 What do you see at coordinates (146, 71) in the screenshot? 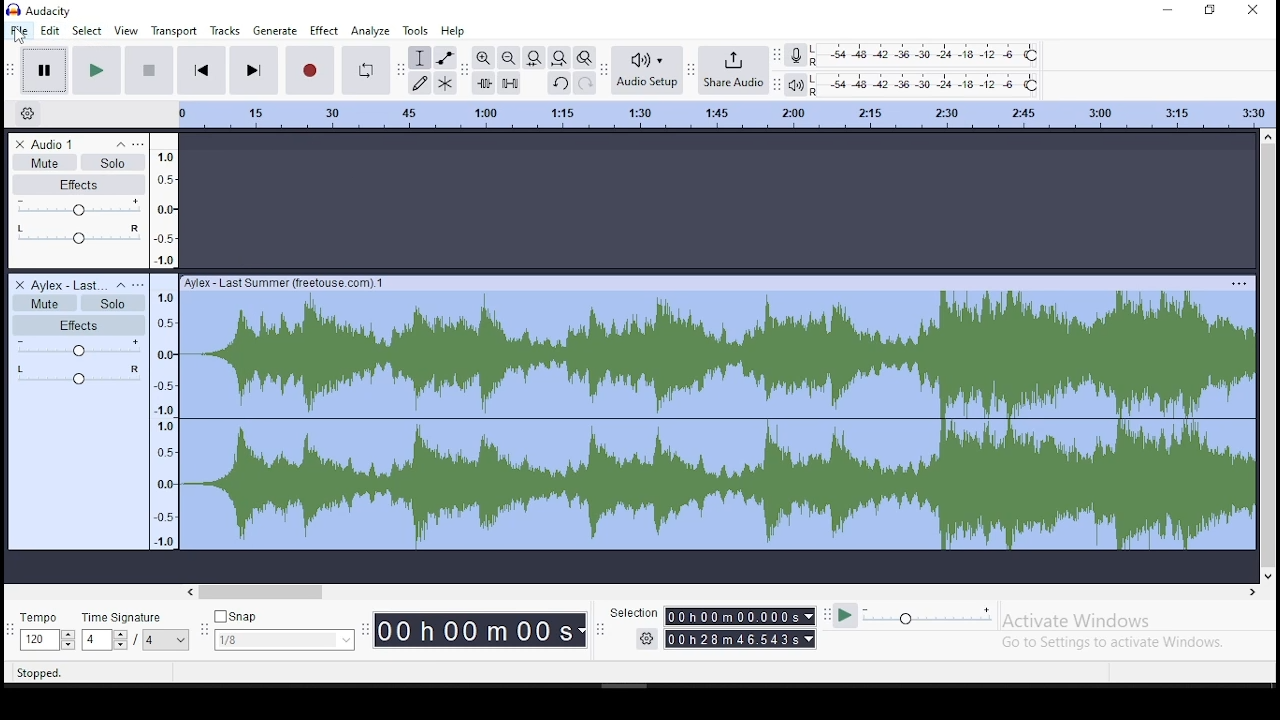
I see `stop` at bounding box center [146, 71].